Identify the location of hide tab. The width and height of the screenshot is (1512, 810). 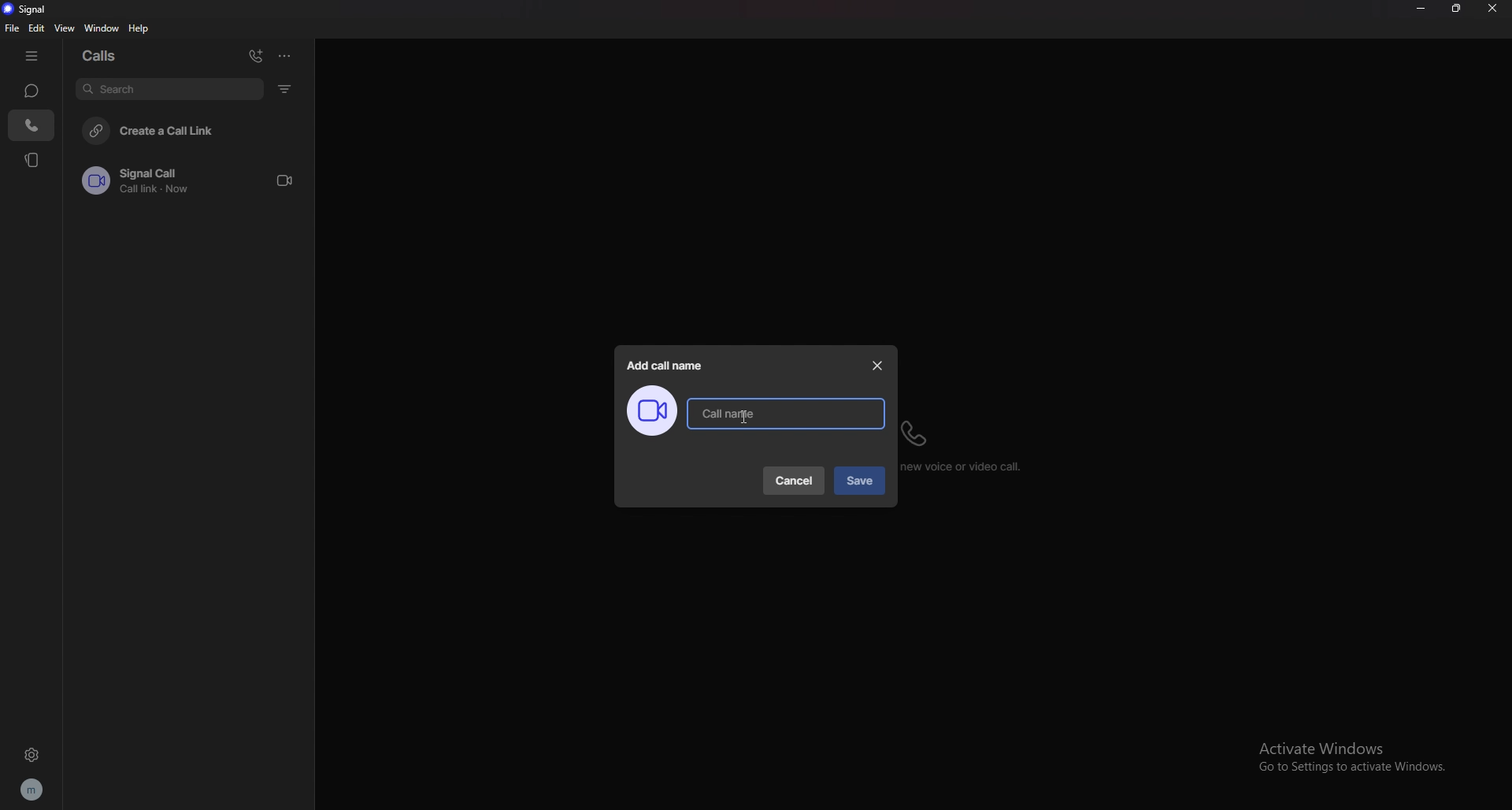
(31, 57).